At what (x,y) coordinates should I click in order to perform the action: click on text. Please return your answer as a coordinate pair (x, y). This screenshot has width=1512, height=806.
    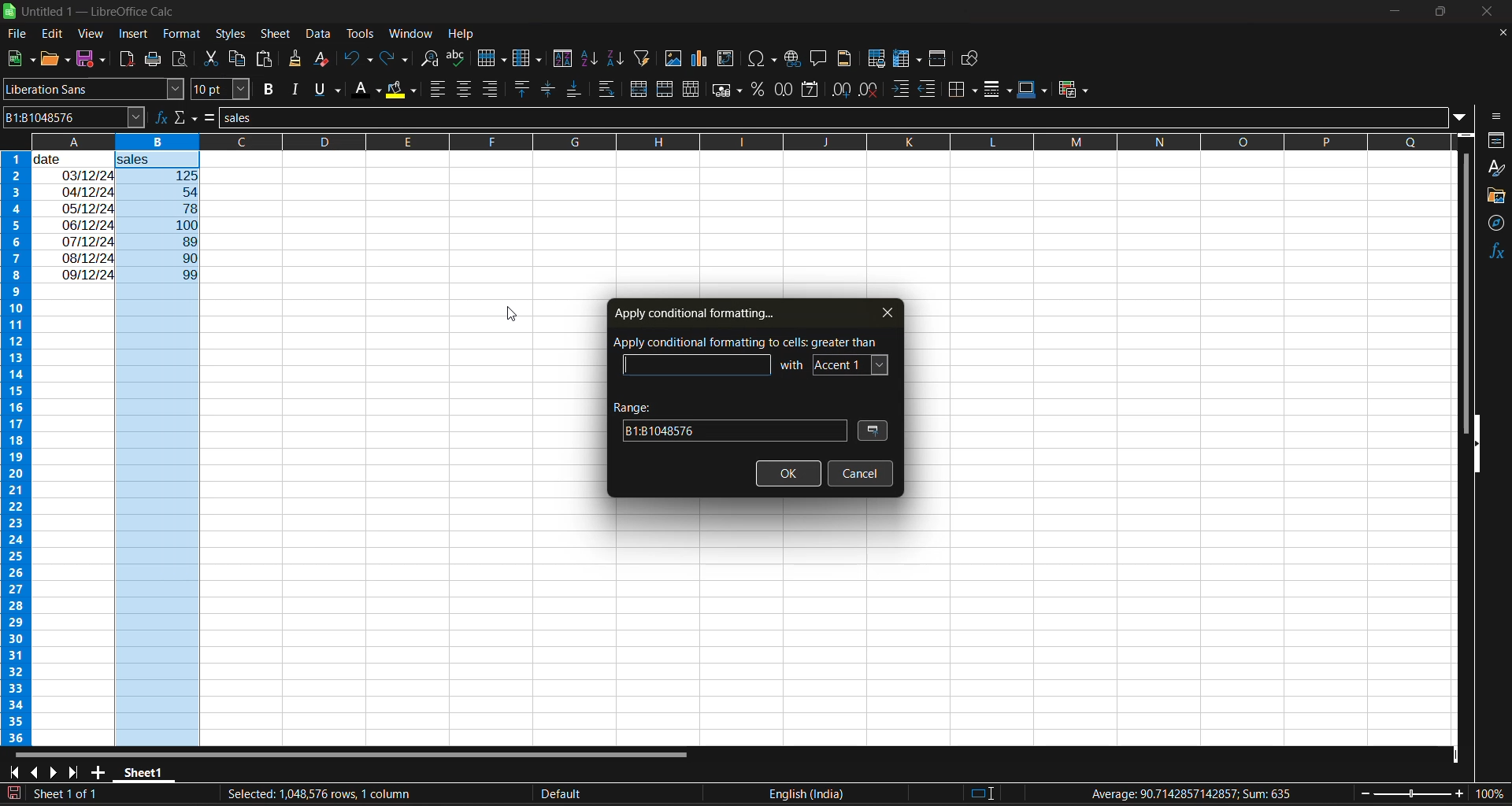
    Looking at the image, I should click on (747, 341).